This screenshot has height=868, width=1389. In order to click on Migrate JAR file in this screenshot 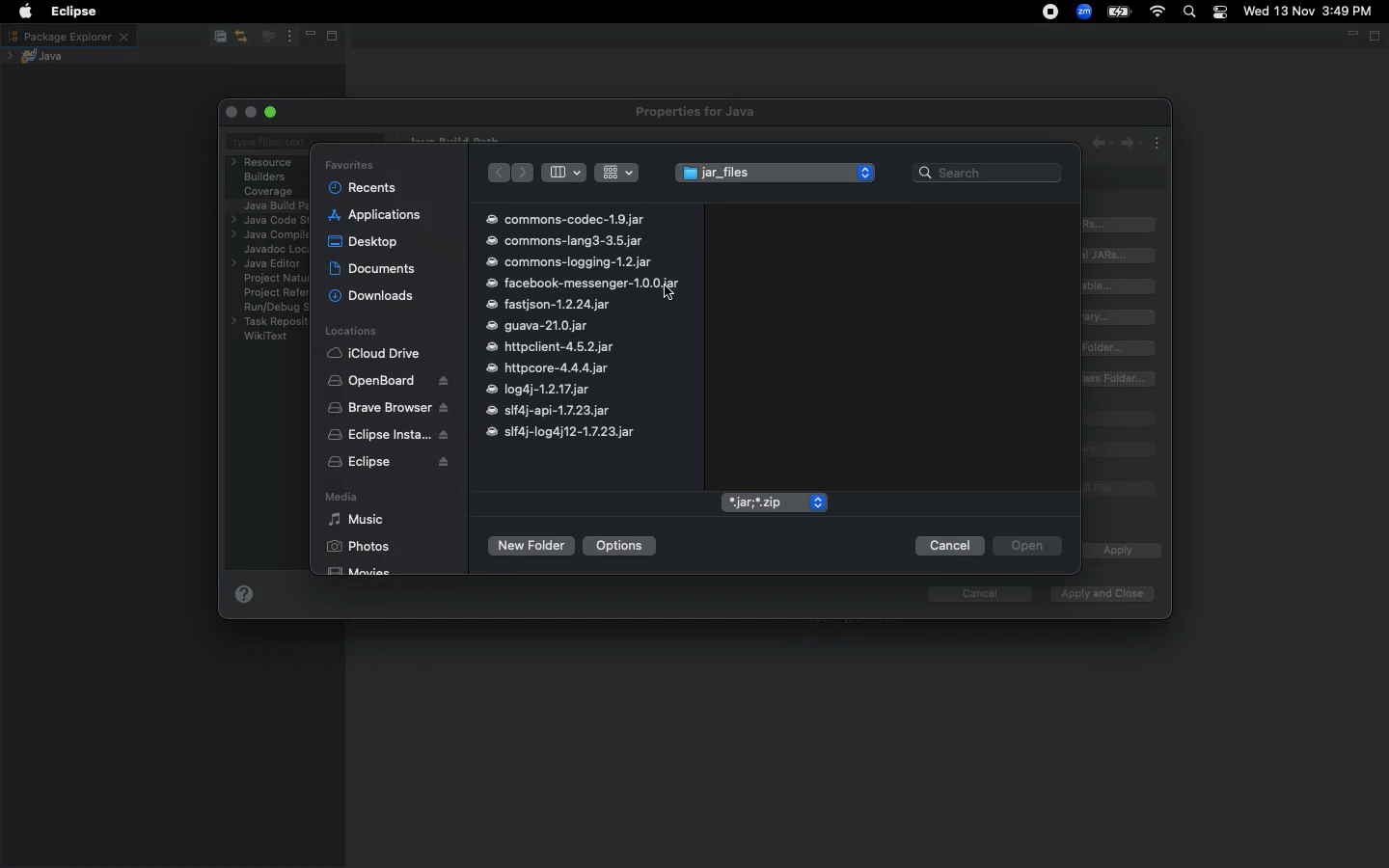, I will do `click(1116, 490)`.